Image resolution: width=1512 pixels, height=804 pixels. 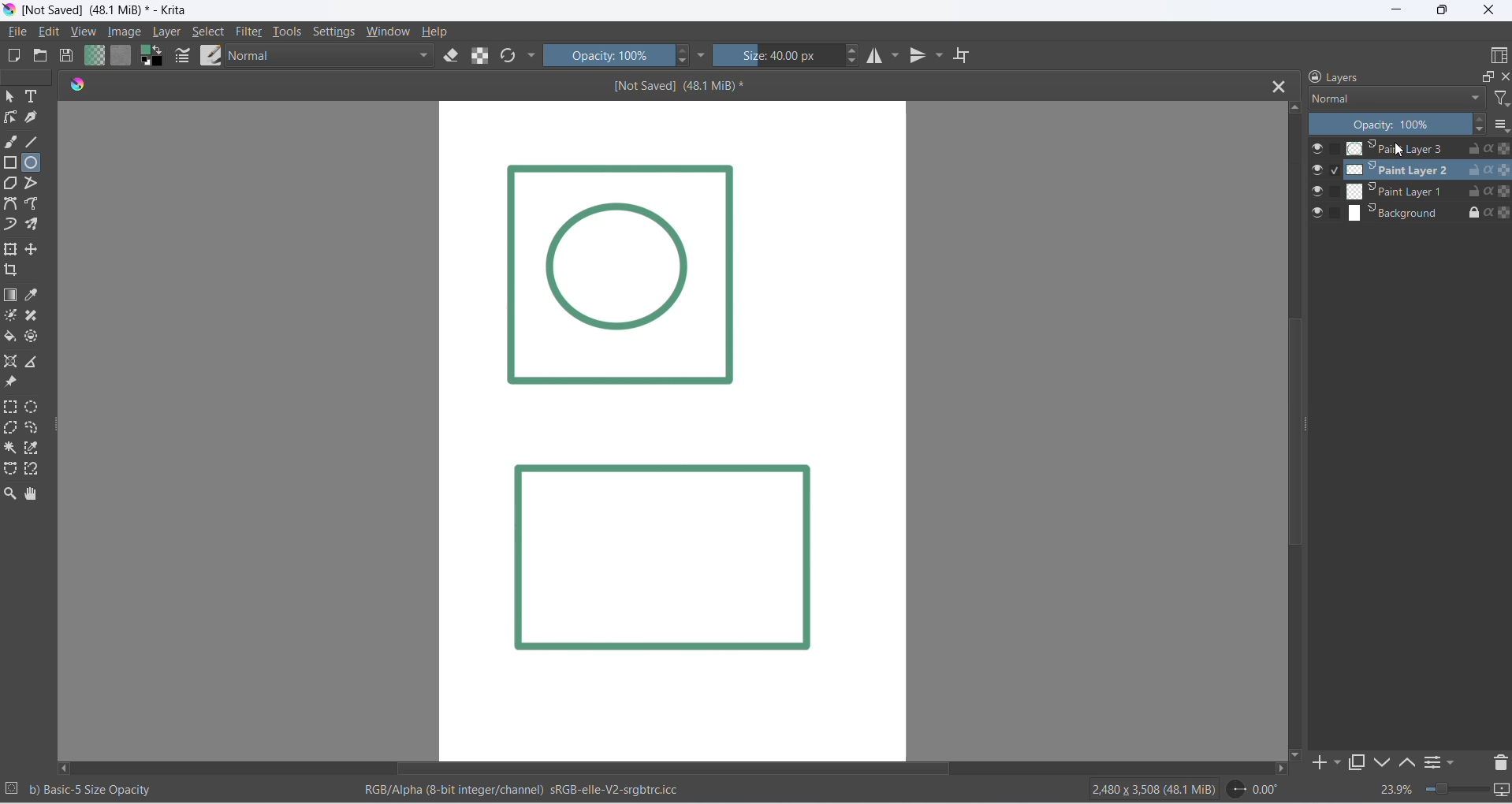 I want to click on visibilty, so click(x=1316, y=191).